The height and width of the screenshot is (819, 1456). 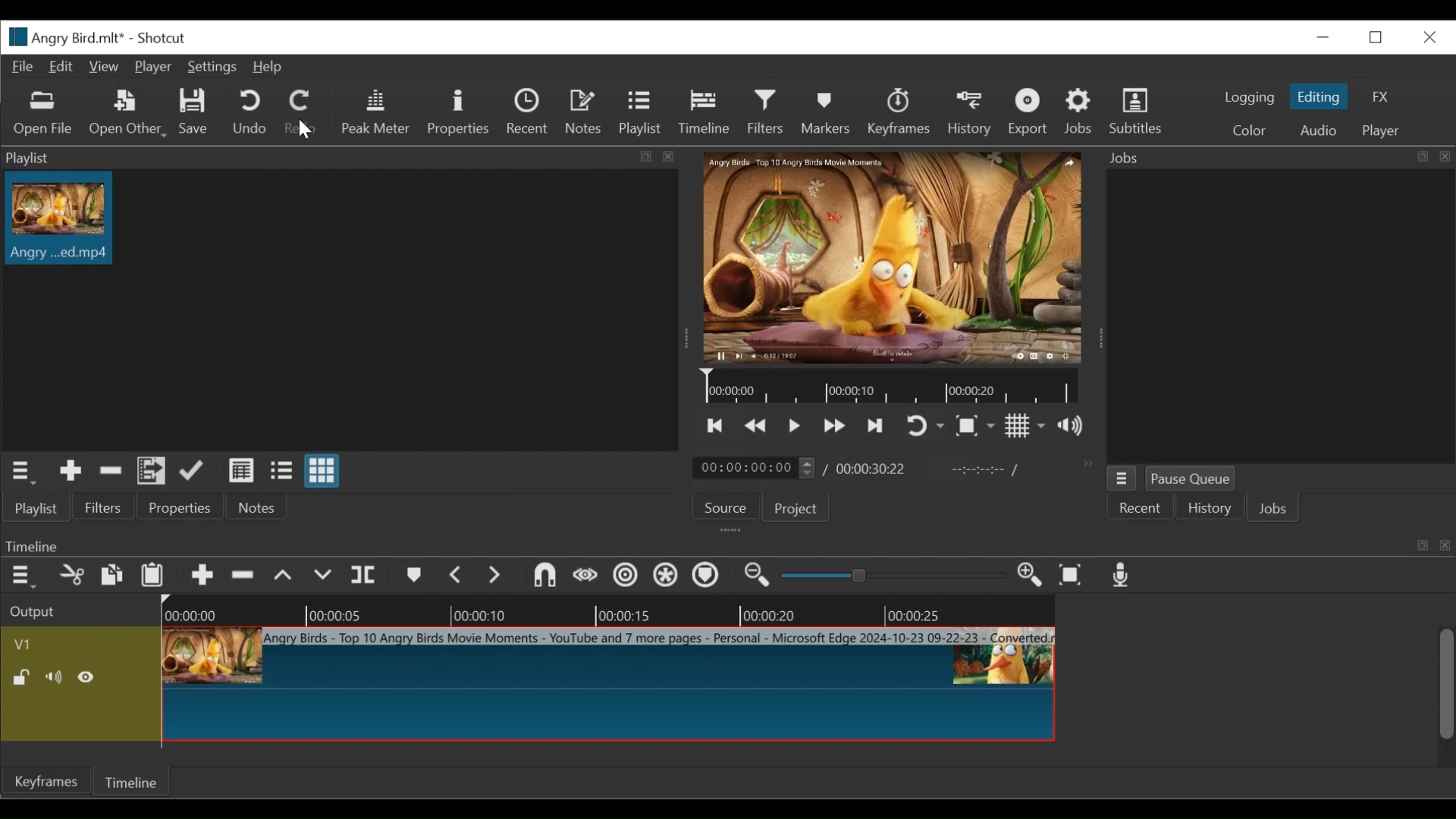 What do you see at coordinates (56, 677) in the screenshot?
I see `Mute` at bounding box center [56, 677].